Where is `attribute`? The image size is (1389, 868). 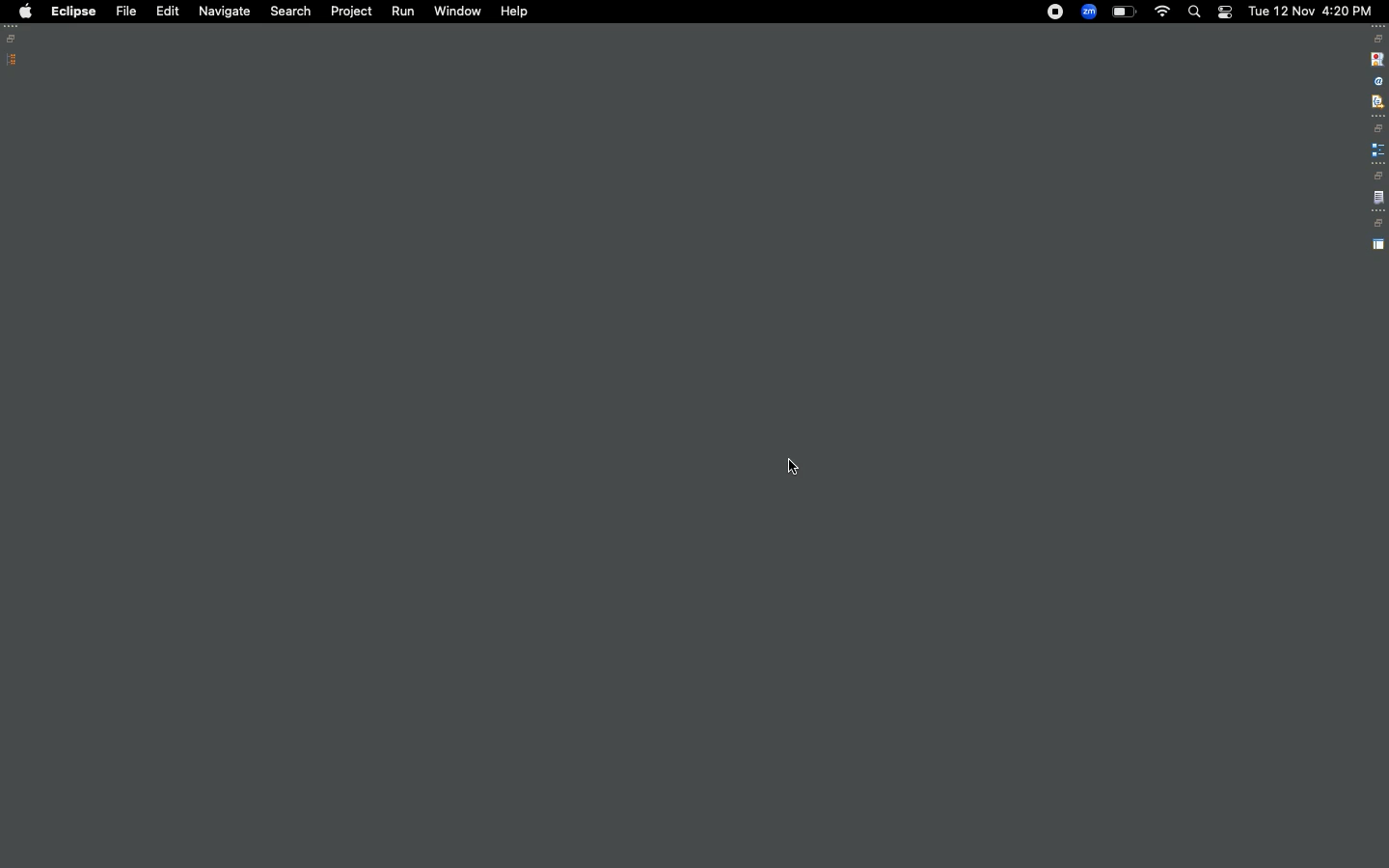 attribute is located at coordinates (1376, 82).